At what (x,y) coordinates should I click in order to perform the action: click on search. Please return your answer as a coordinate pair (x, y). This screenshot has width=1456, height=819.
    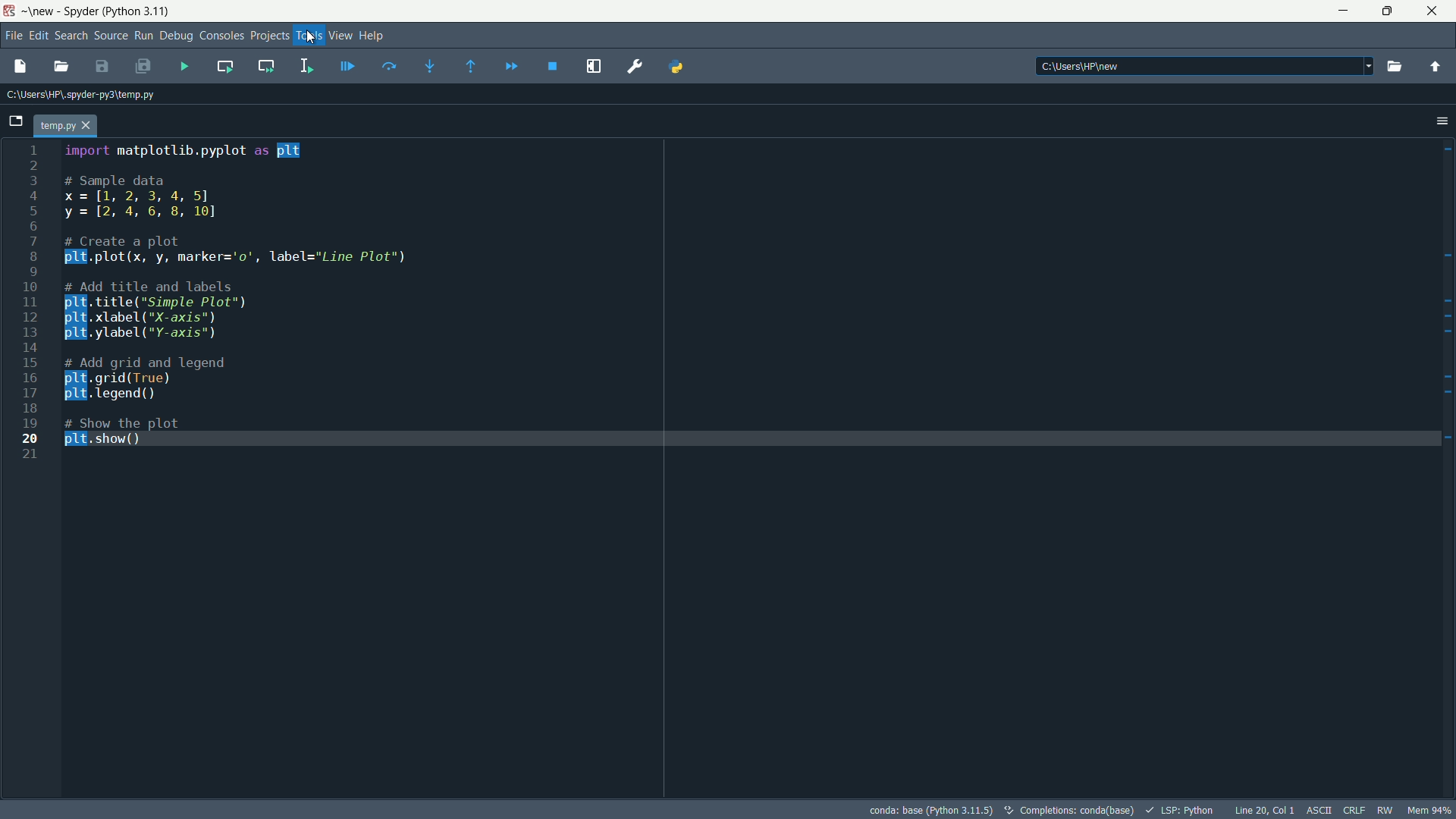
    Looking at the image, I should click on (72, 33).